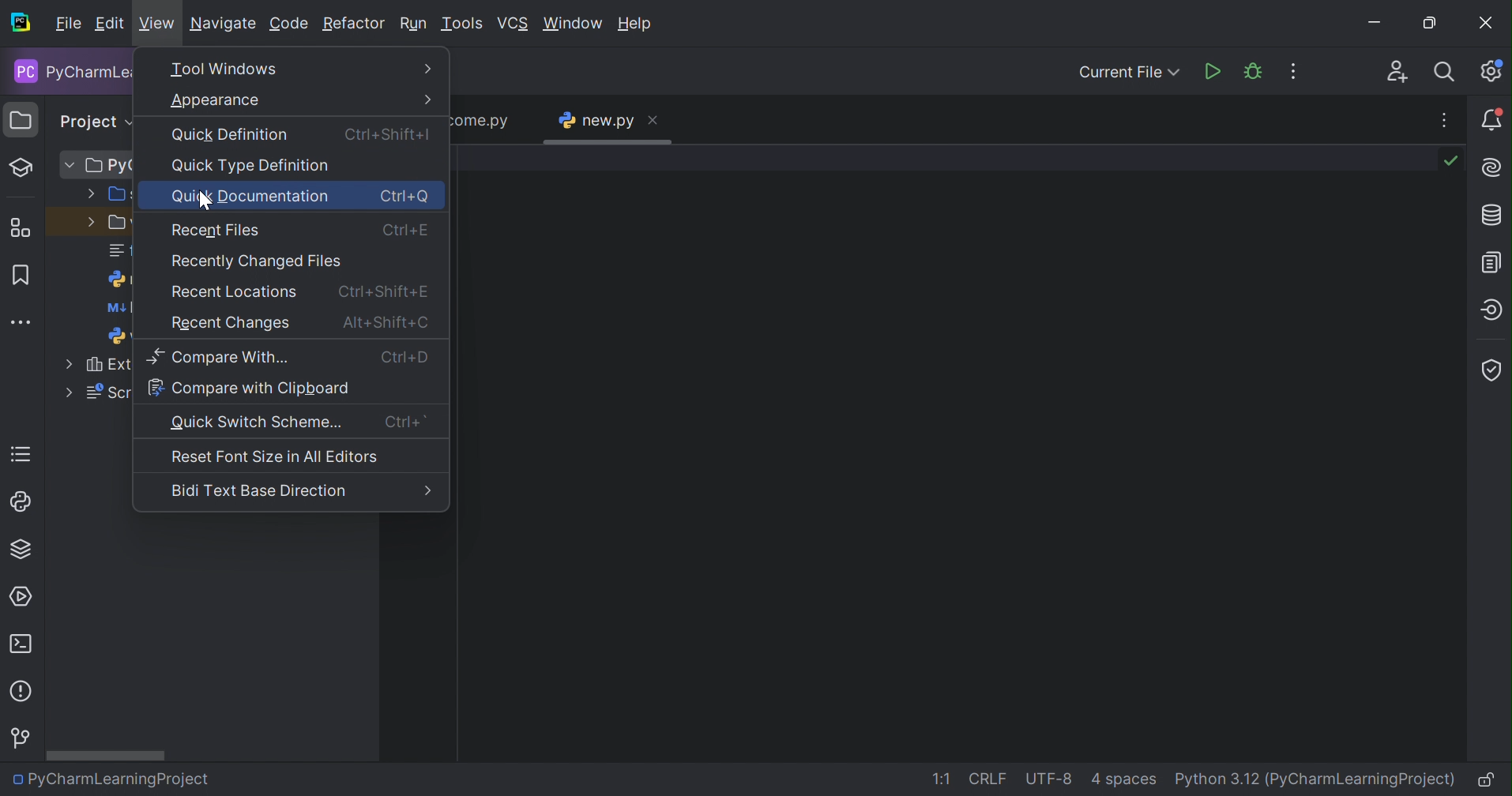 Image resolution: width=1512 pixels, height=796 pixels. What do you see at coordinates (354, 24) in the screenshot?
I see `Refactor` at bounding box center [354, 24].